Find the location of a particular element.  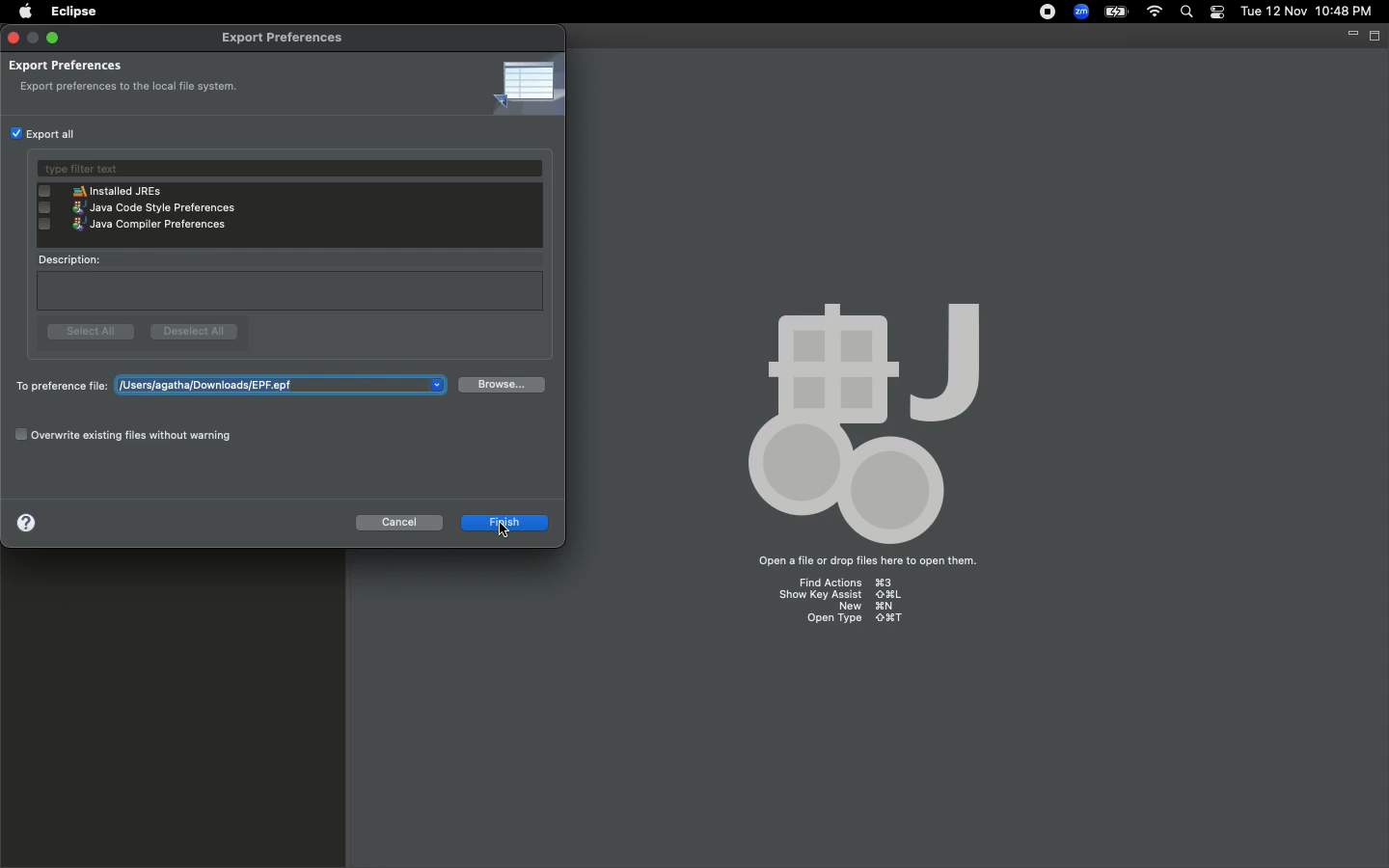

Export preferences is located at coordinates (69, 66).